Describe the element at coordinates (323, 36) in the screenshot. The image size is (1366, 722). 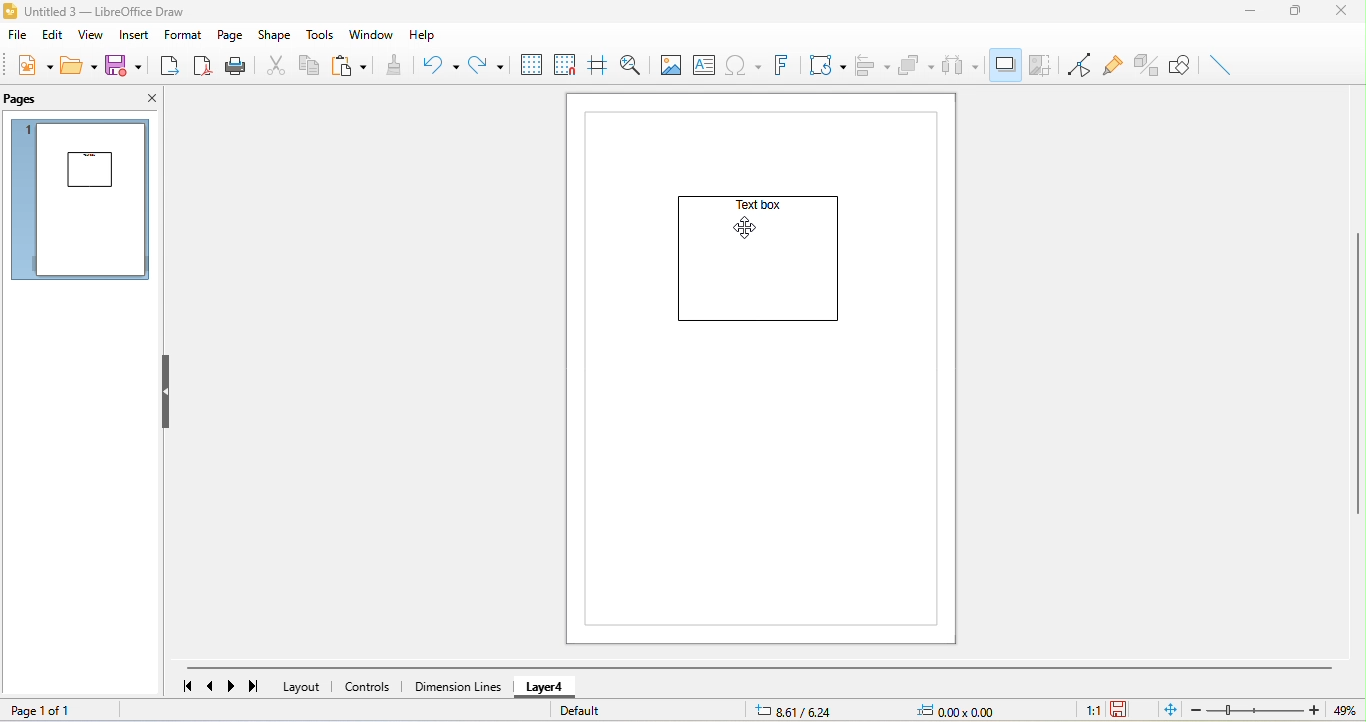
I see `tools` at that location.